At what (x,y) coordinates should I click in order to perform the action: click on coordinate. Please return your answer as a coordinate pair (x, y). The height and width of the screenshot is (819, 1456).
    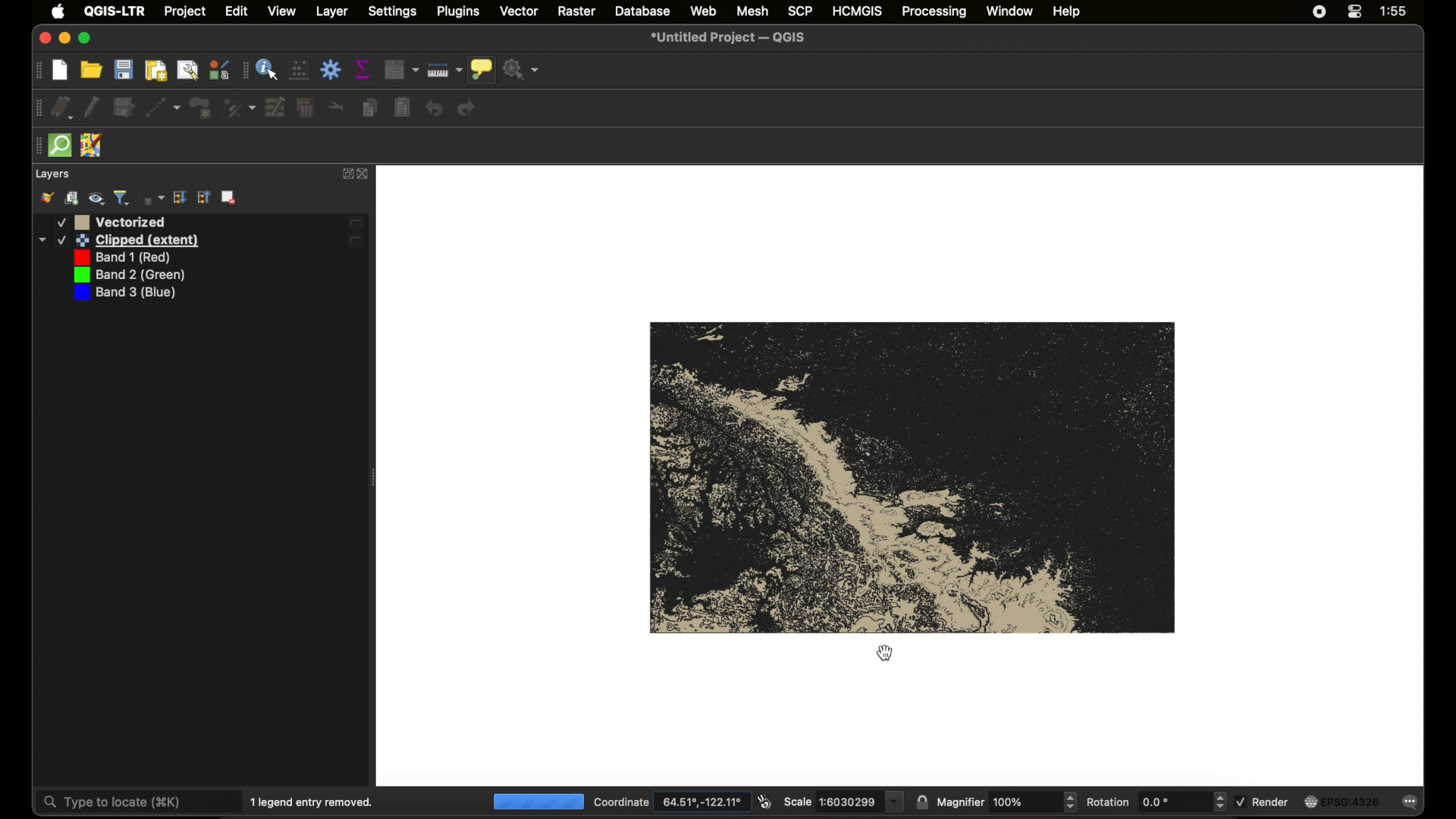
    Looking at the image, I should click on (669, 802).